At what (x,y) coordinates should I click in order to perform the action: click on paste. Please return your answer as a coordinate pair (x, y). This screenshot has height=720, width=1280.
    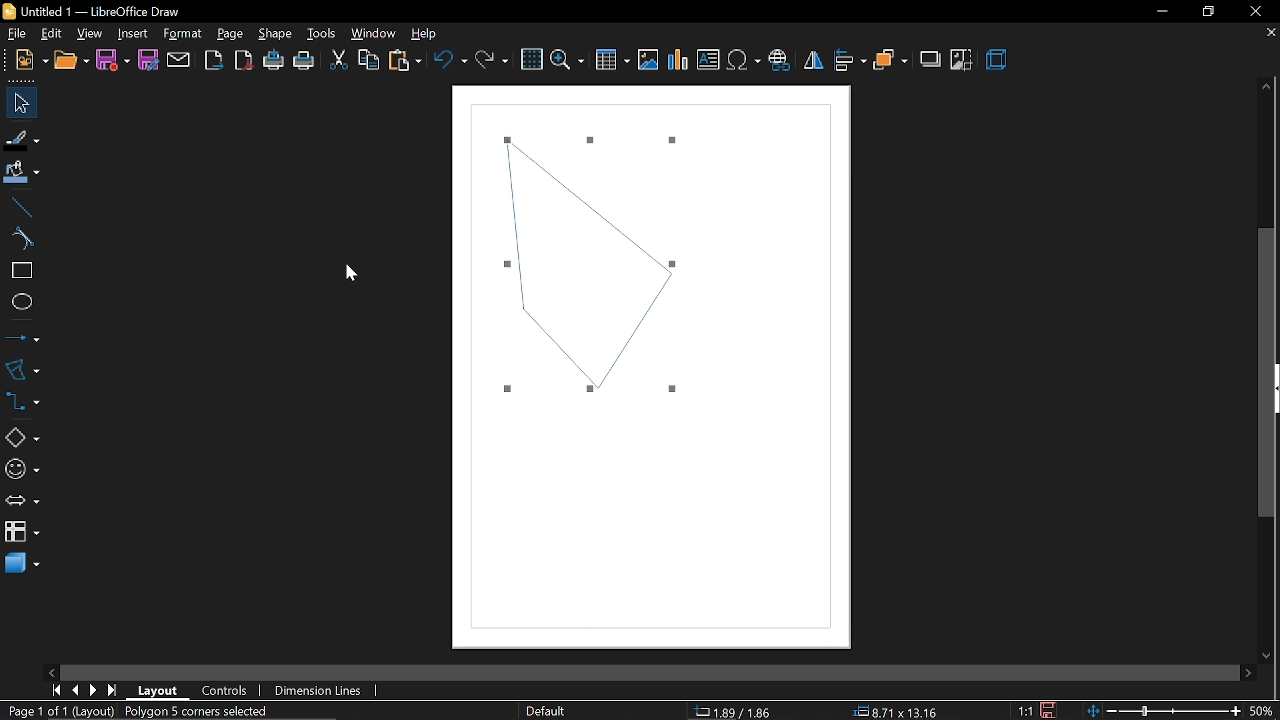
    Looking at the image, I should click on (404, 60).